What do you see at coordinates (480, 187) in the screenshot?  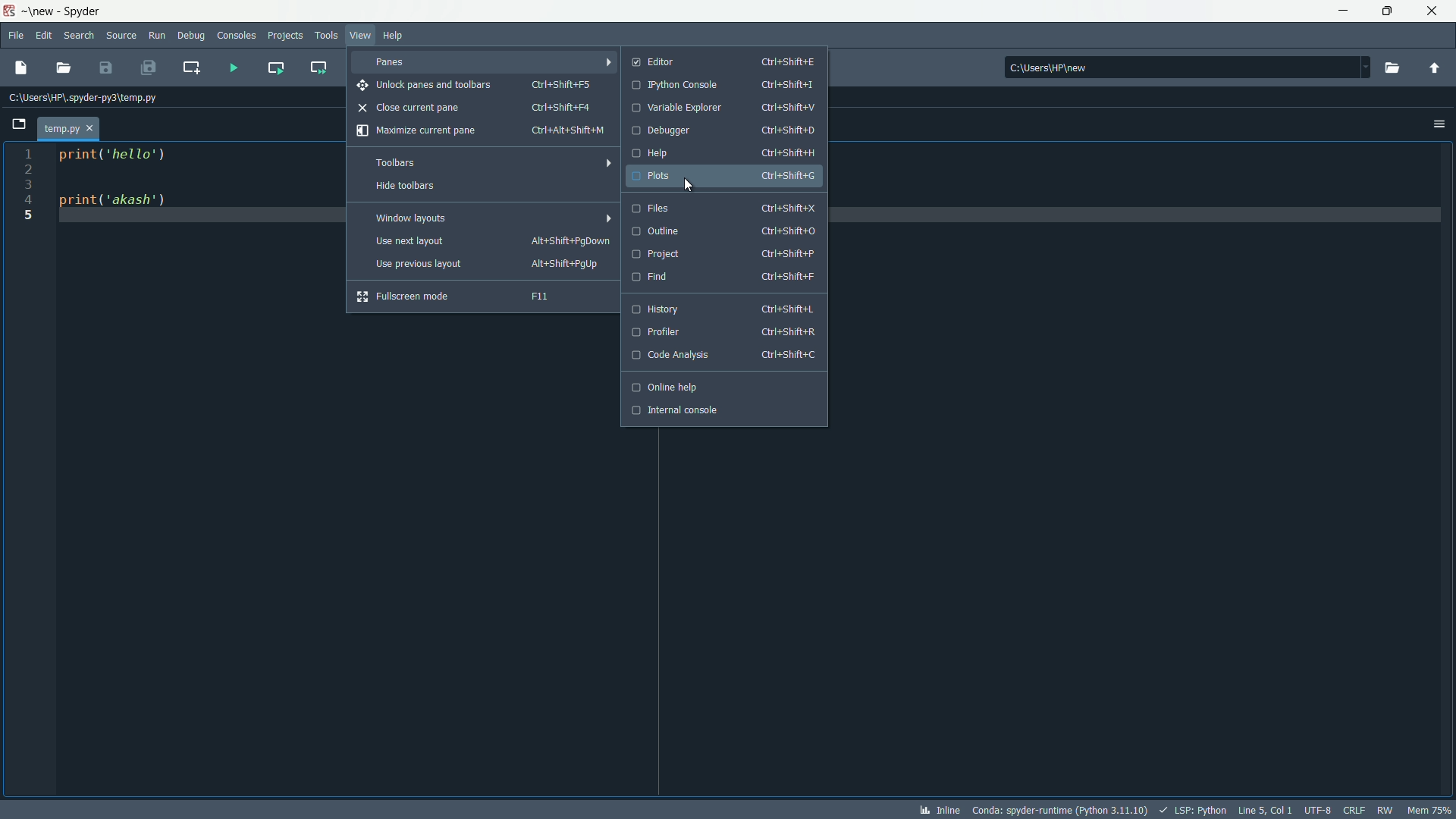 I see `hide toolbars` at bounding box center [480, 187].